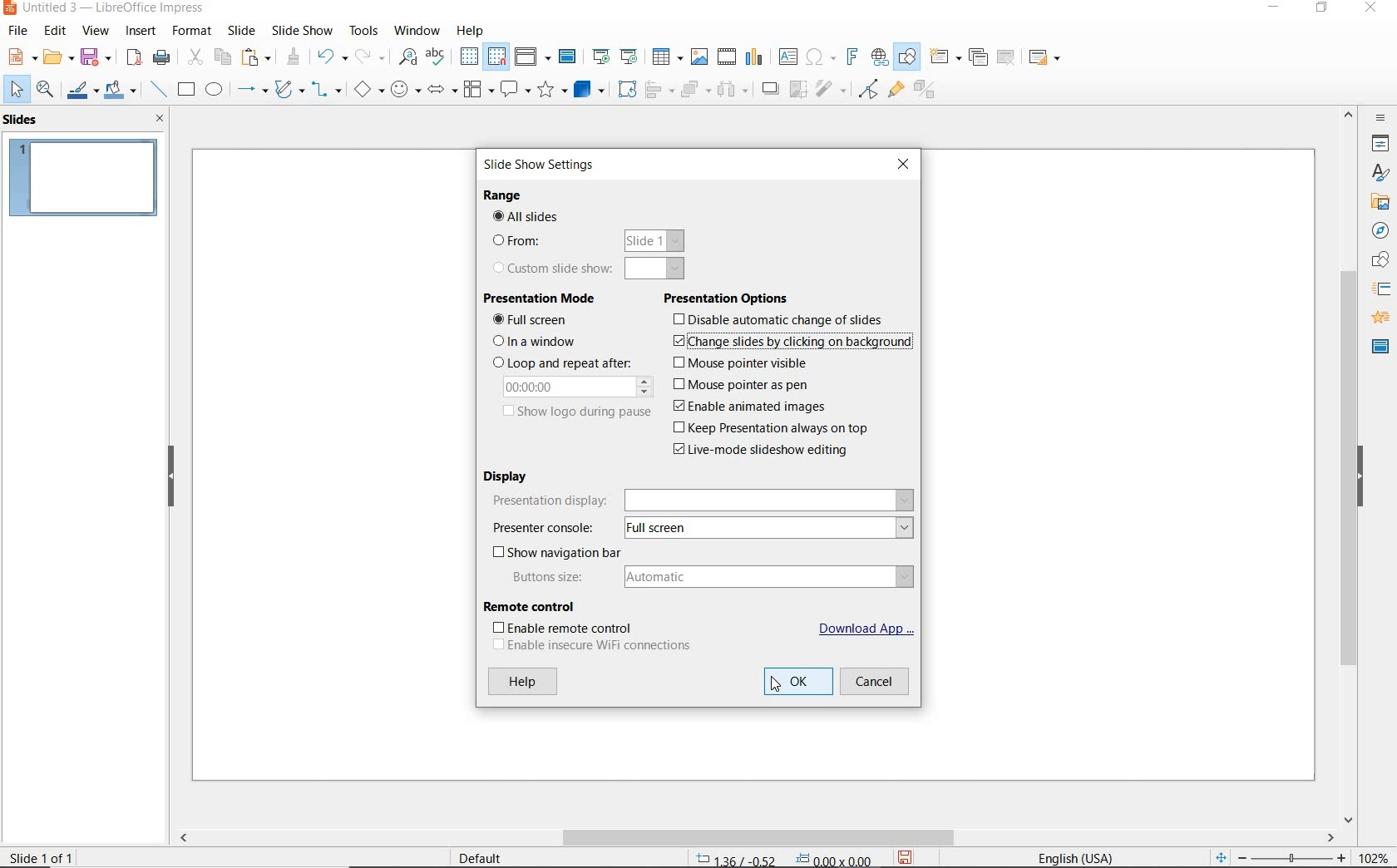 Image resolution: width=1397 pixels, height=868 pixels. I want to click on THREE OBJECTS TO DISTRIBUTE, so click(731, 91).